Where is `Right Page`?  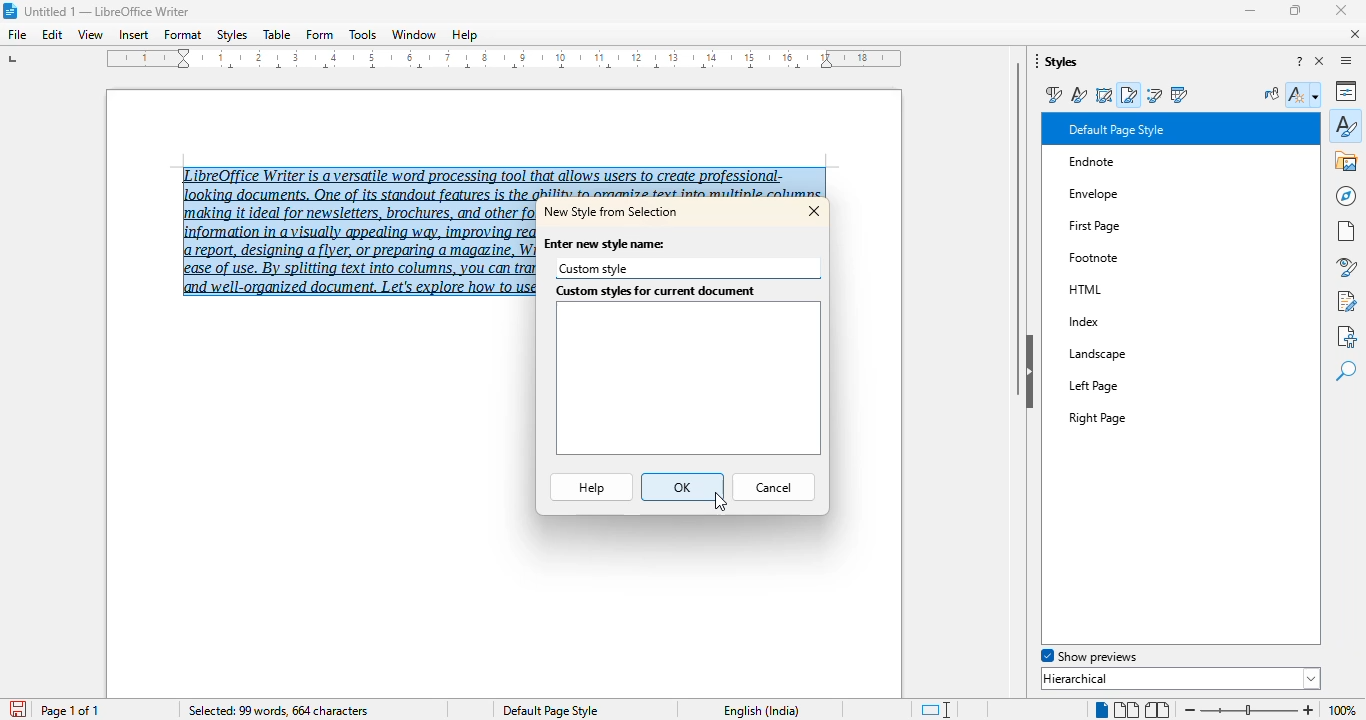
Right Page is located at coordinates (1128, 413).